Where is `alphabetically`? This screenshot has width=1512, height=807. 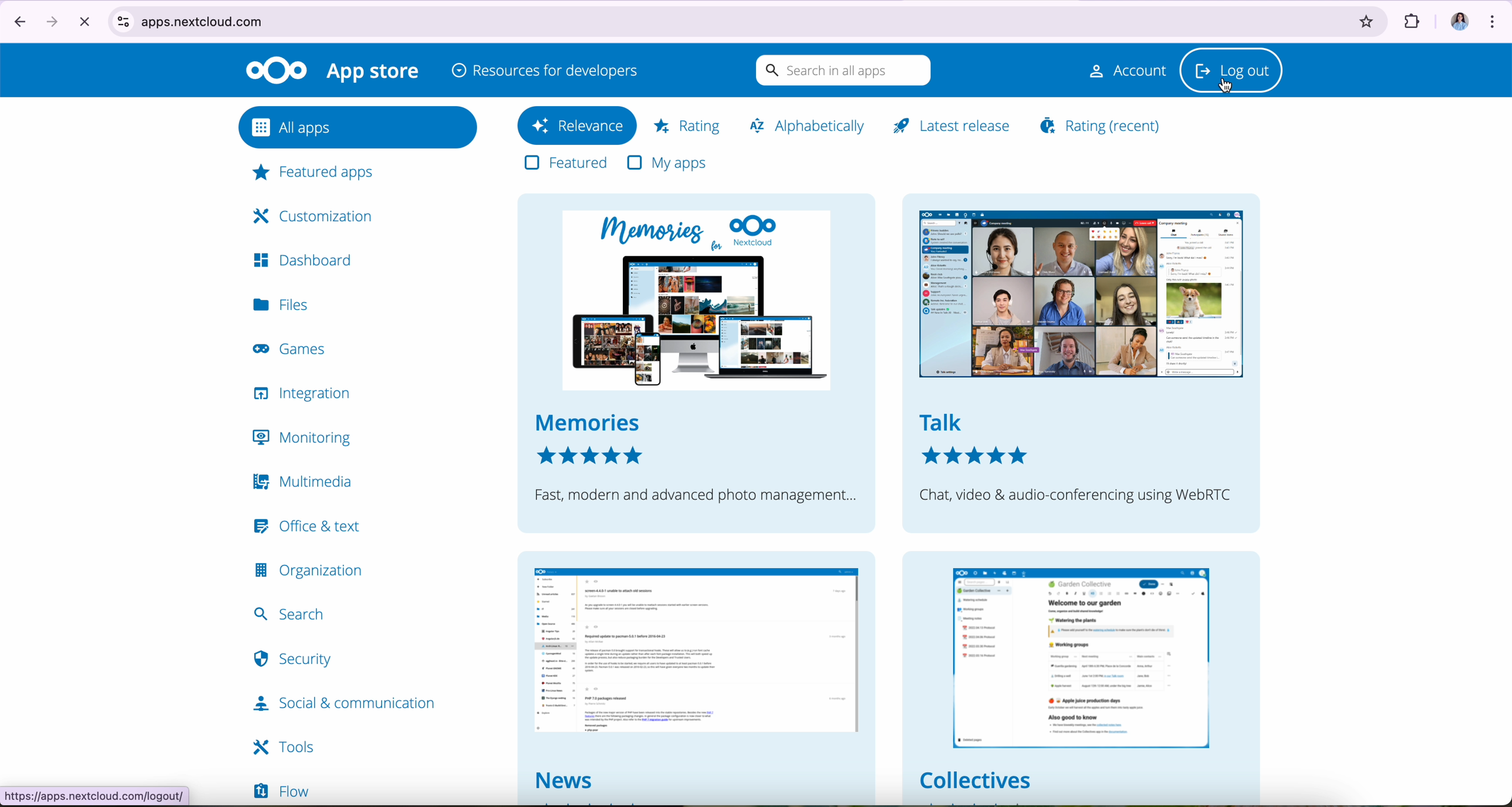
alphabetically is located at coordinates (806, 123).